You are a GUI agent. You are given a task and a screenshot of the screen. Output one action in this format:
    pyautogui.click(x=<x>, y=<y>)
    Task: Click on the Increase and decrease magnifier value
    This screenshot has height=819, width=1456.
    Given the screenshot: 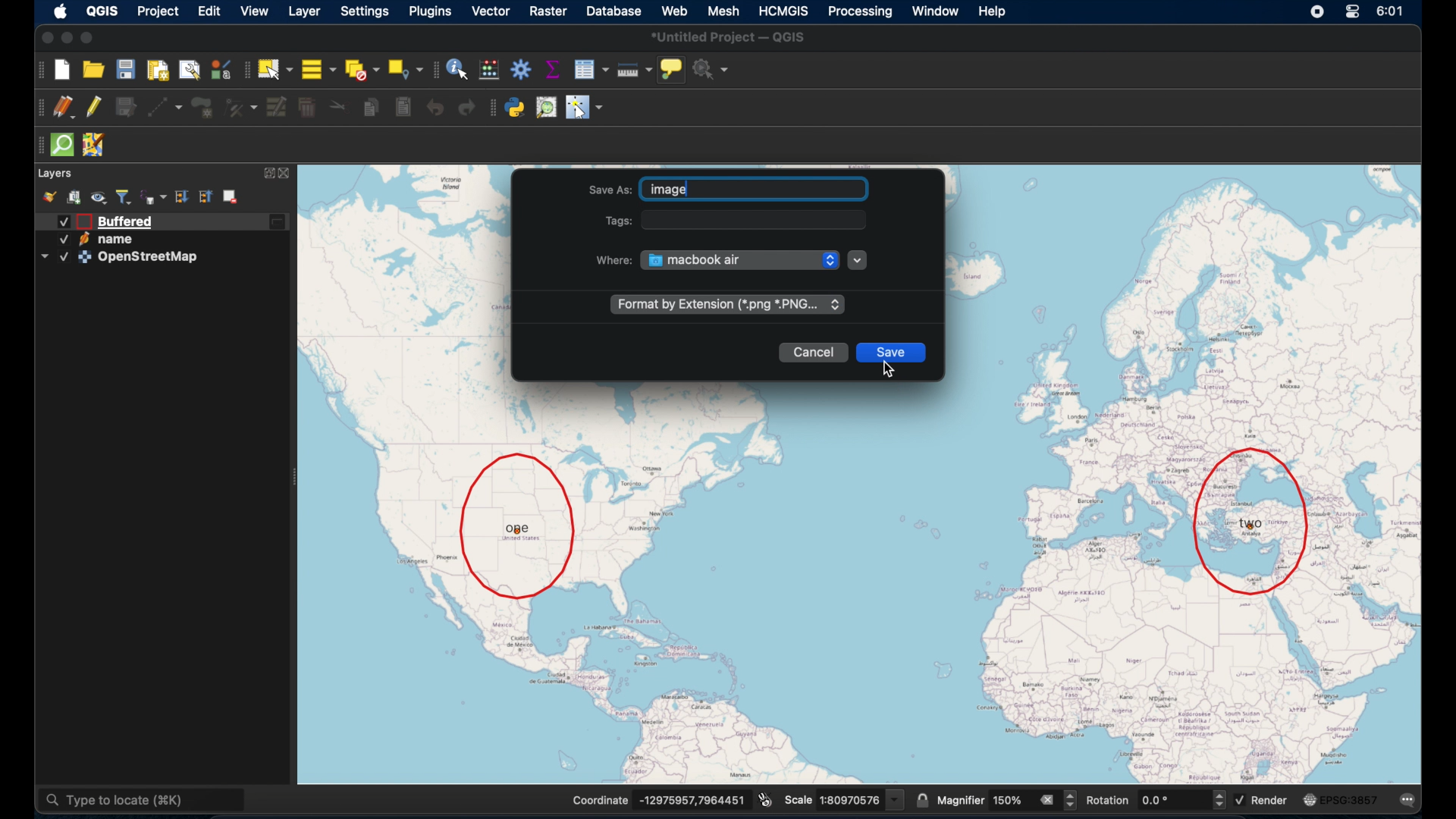 What is the action you would take?
    pyautogui.click(x=1071, y=800)
    